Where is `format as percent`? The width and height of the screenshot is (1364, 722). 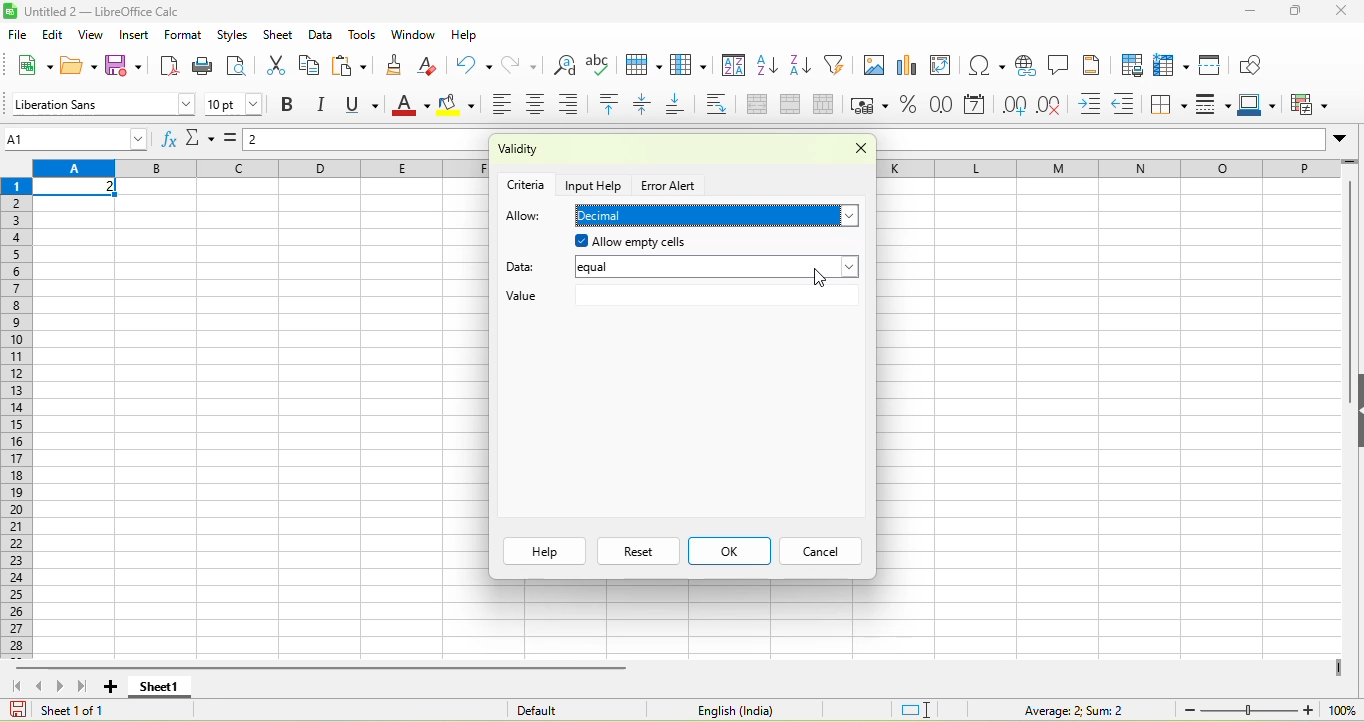
format as percent is located at coordinates (909, 106).